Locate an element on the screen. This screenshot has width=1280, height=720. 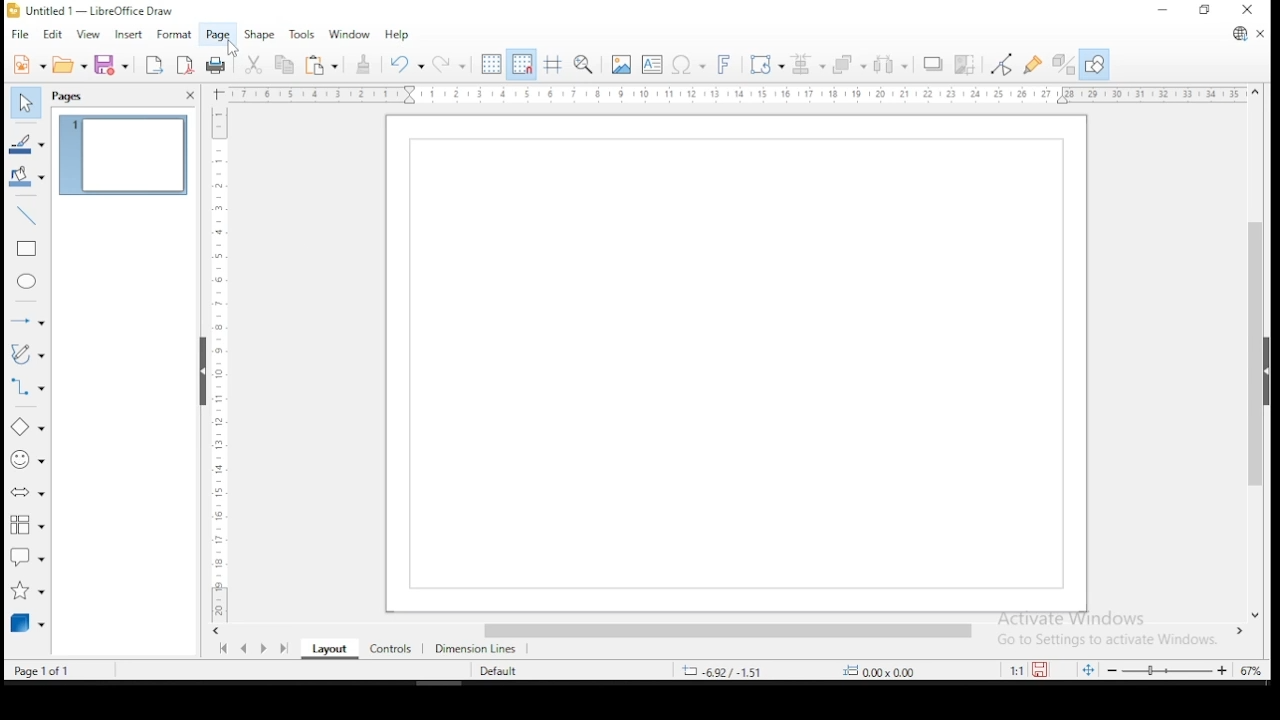
last page is located at coordinates (282, 650).